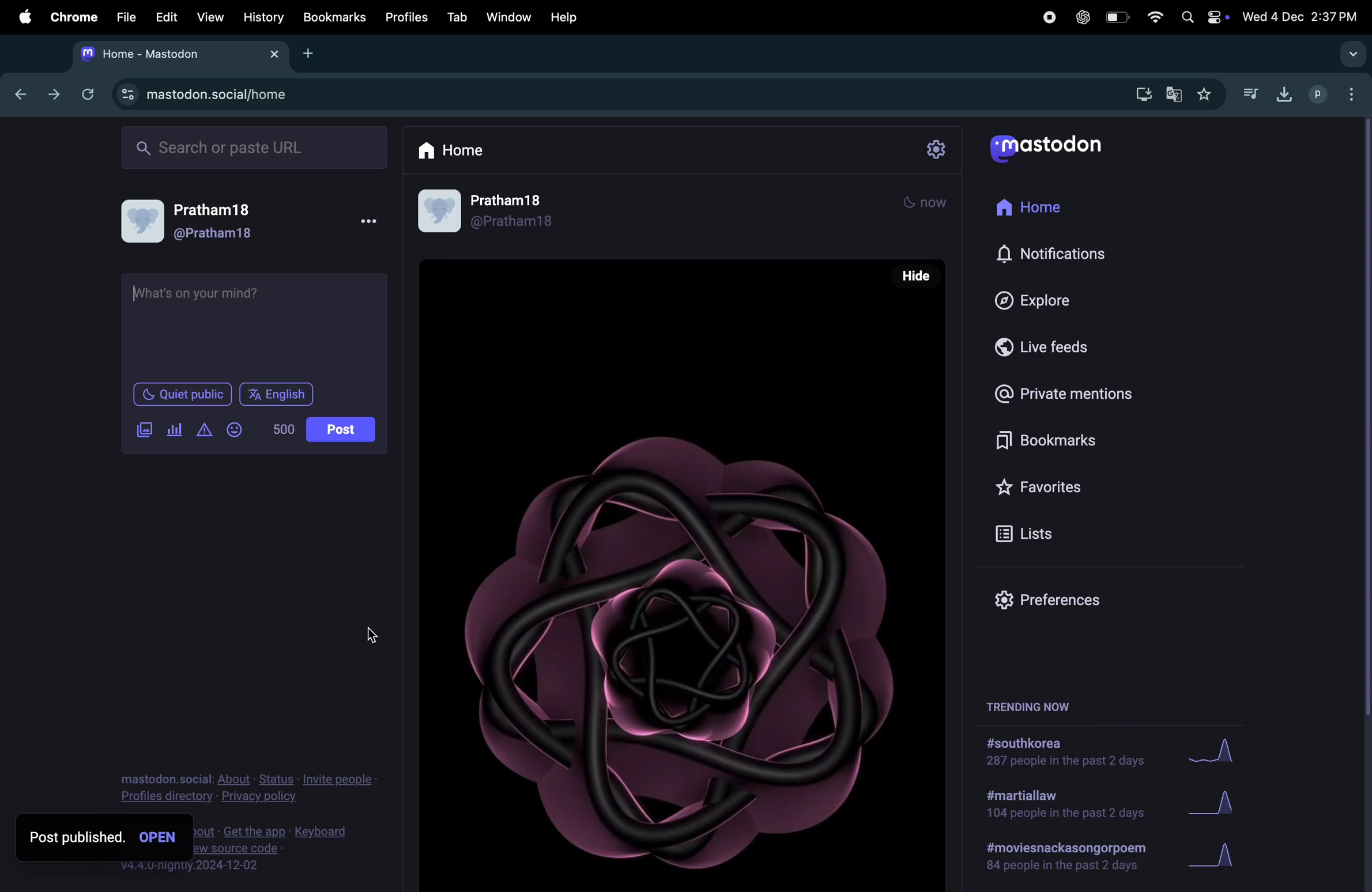 This screenshot has height=892, width=1372. I want to click on record, so click(1048, 17).